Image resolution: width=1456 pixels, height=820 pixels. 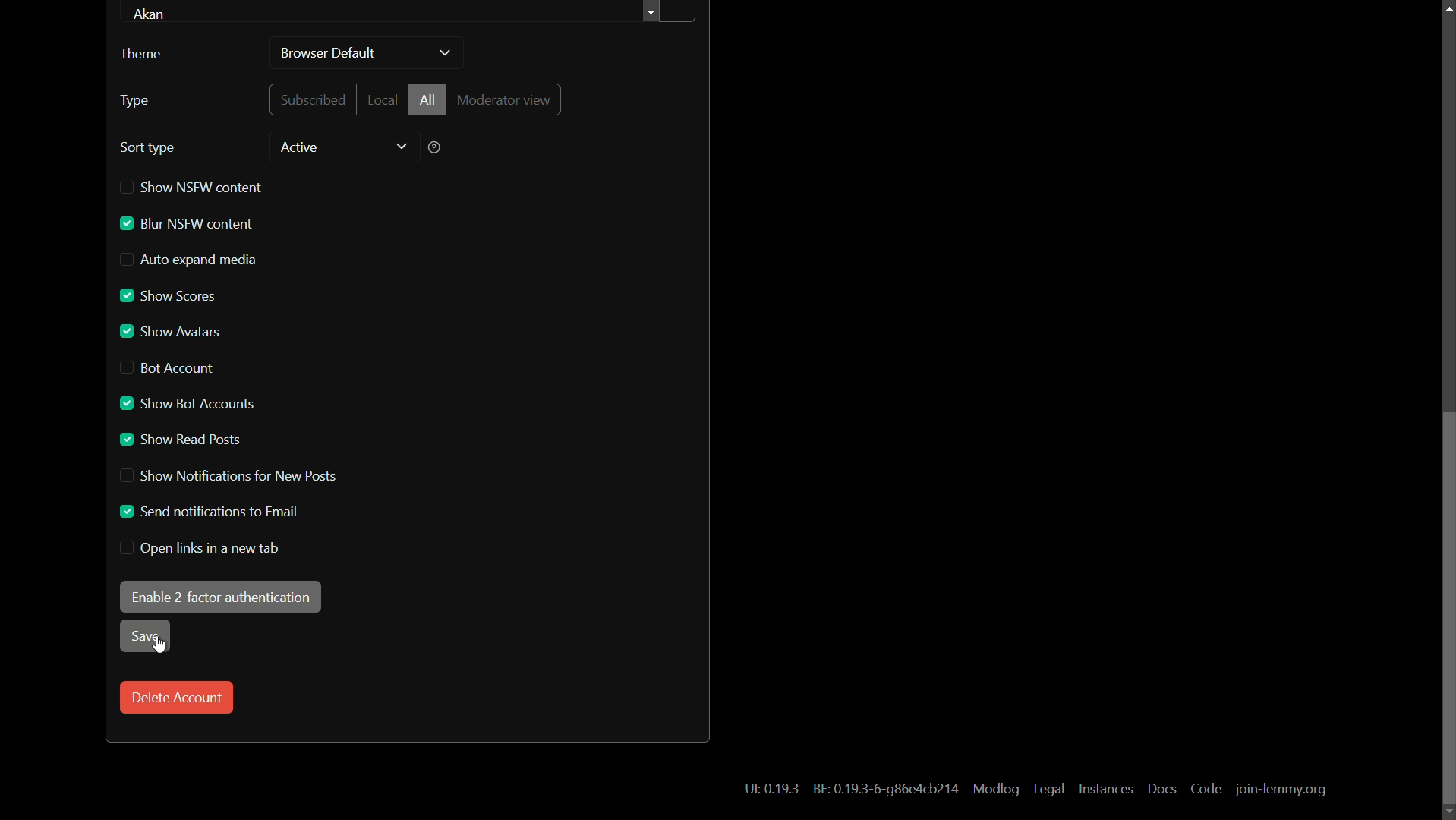 I want to click on send notifications to email, so click(x=211, y=512).